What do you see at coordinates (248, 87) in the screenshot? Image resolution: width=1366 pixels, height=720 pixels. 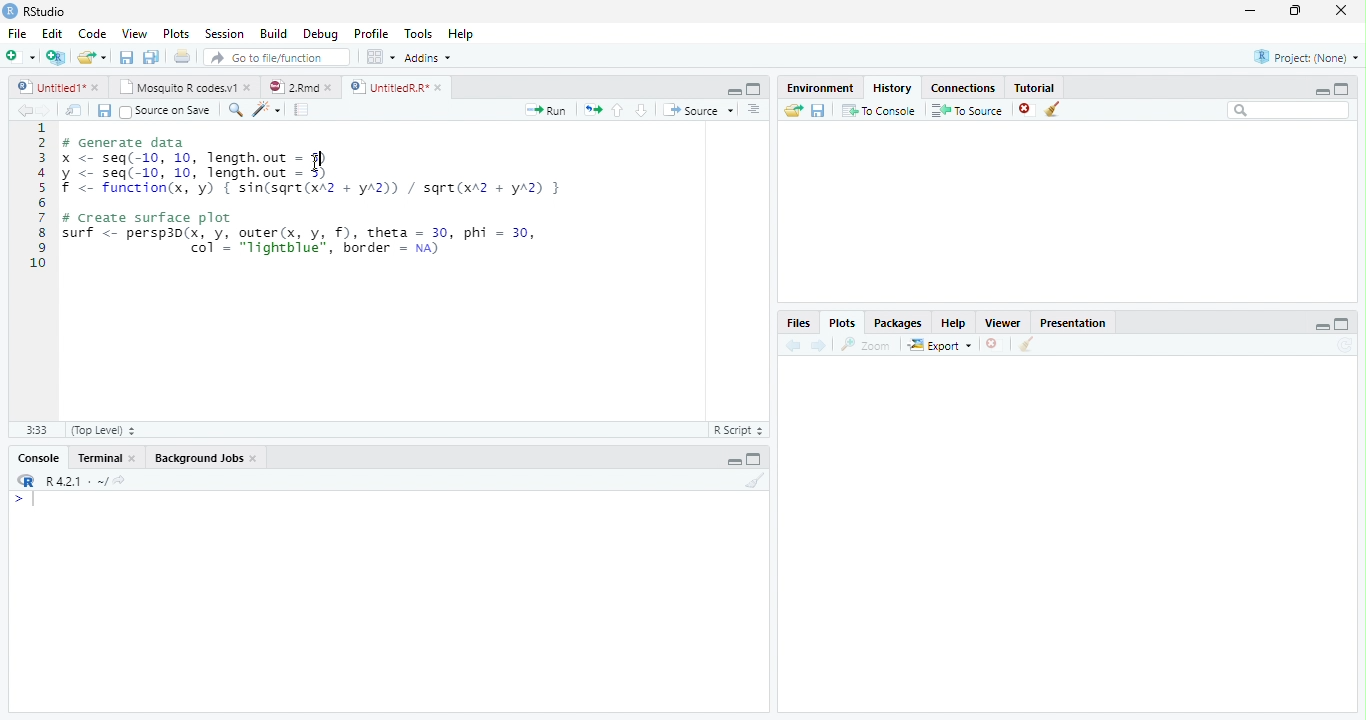 I see `close` at bounding box center [248, 87].